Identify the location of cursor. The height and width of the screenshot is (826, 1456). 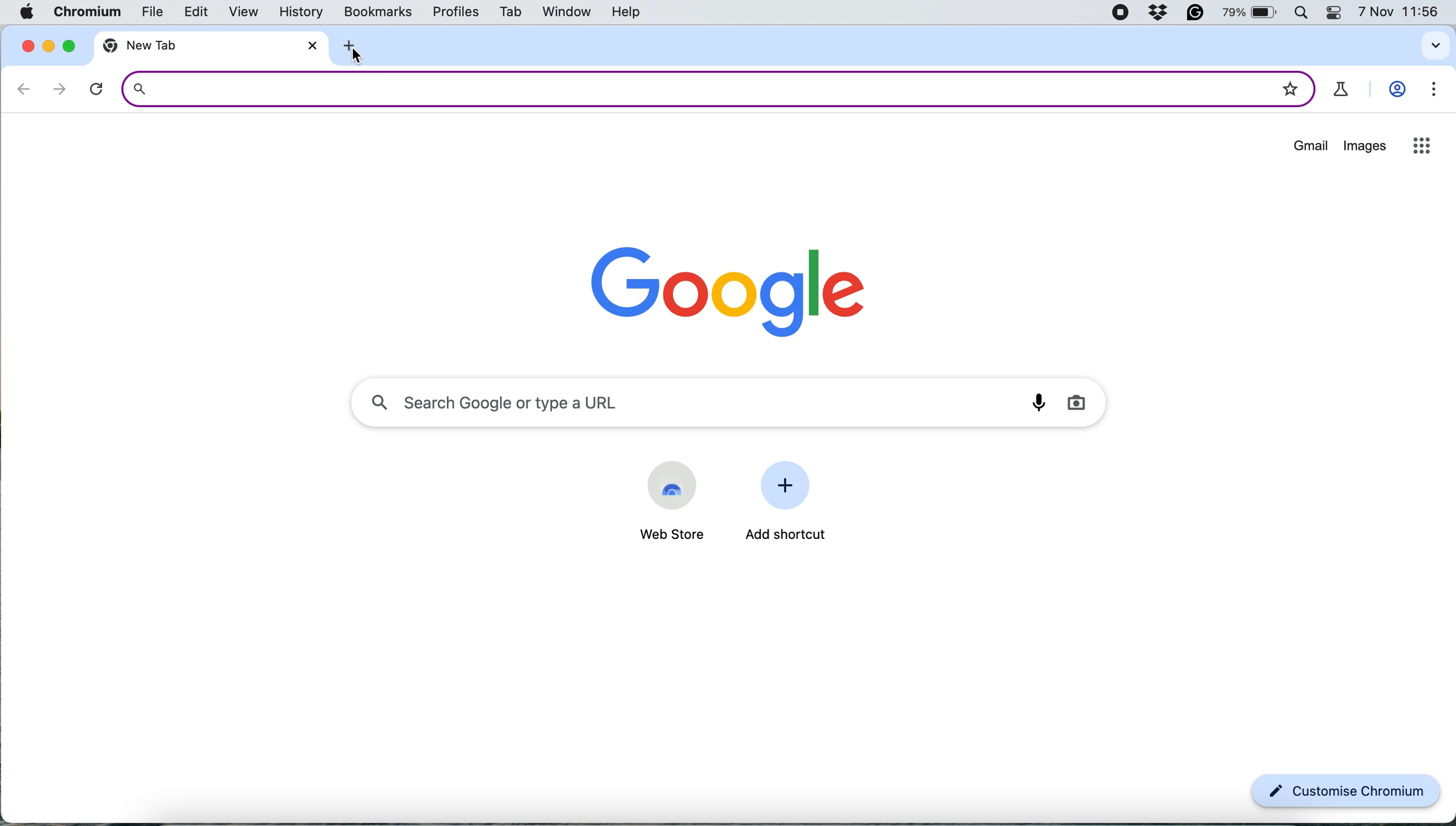
(352, 54).